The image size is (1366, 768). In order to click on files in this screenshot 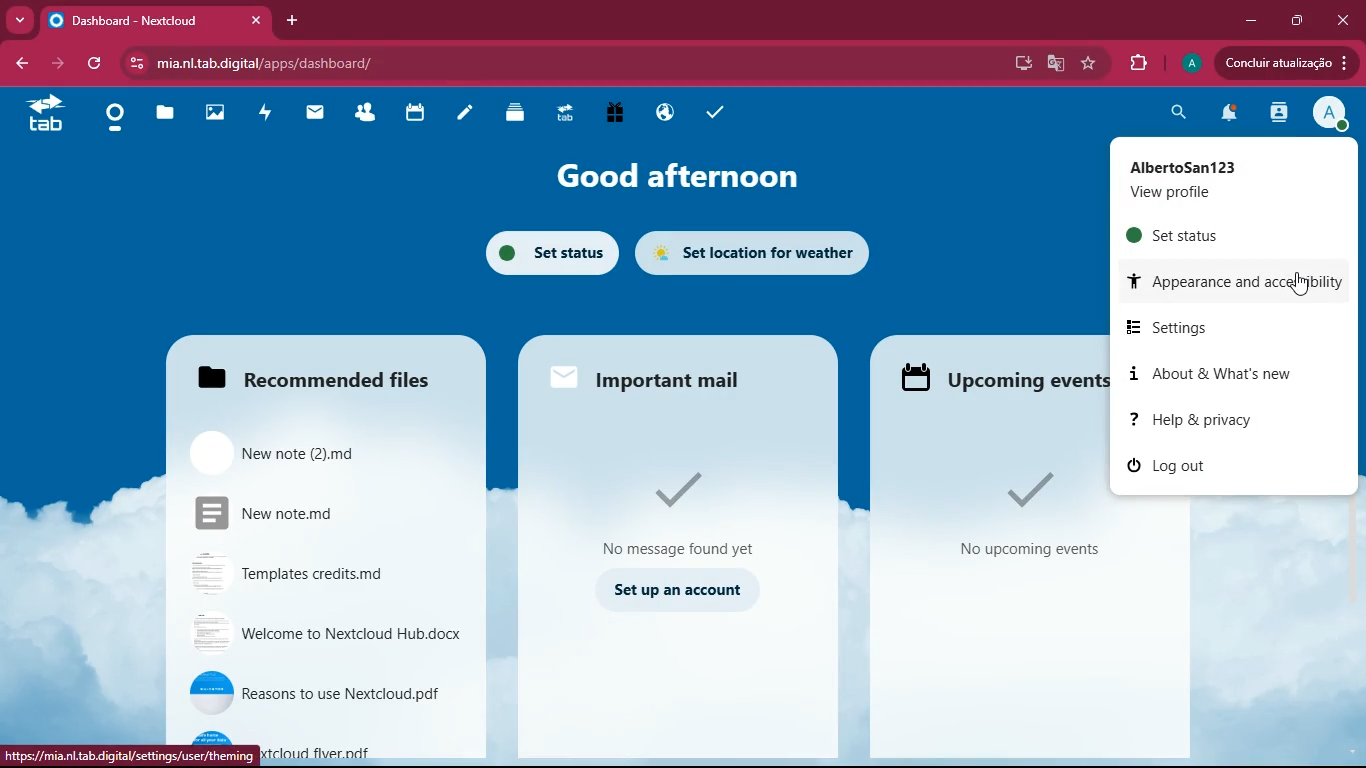, I will do `click(167, 115)`.